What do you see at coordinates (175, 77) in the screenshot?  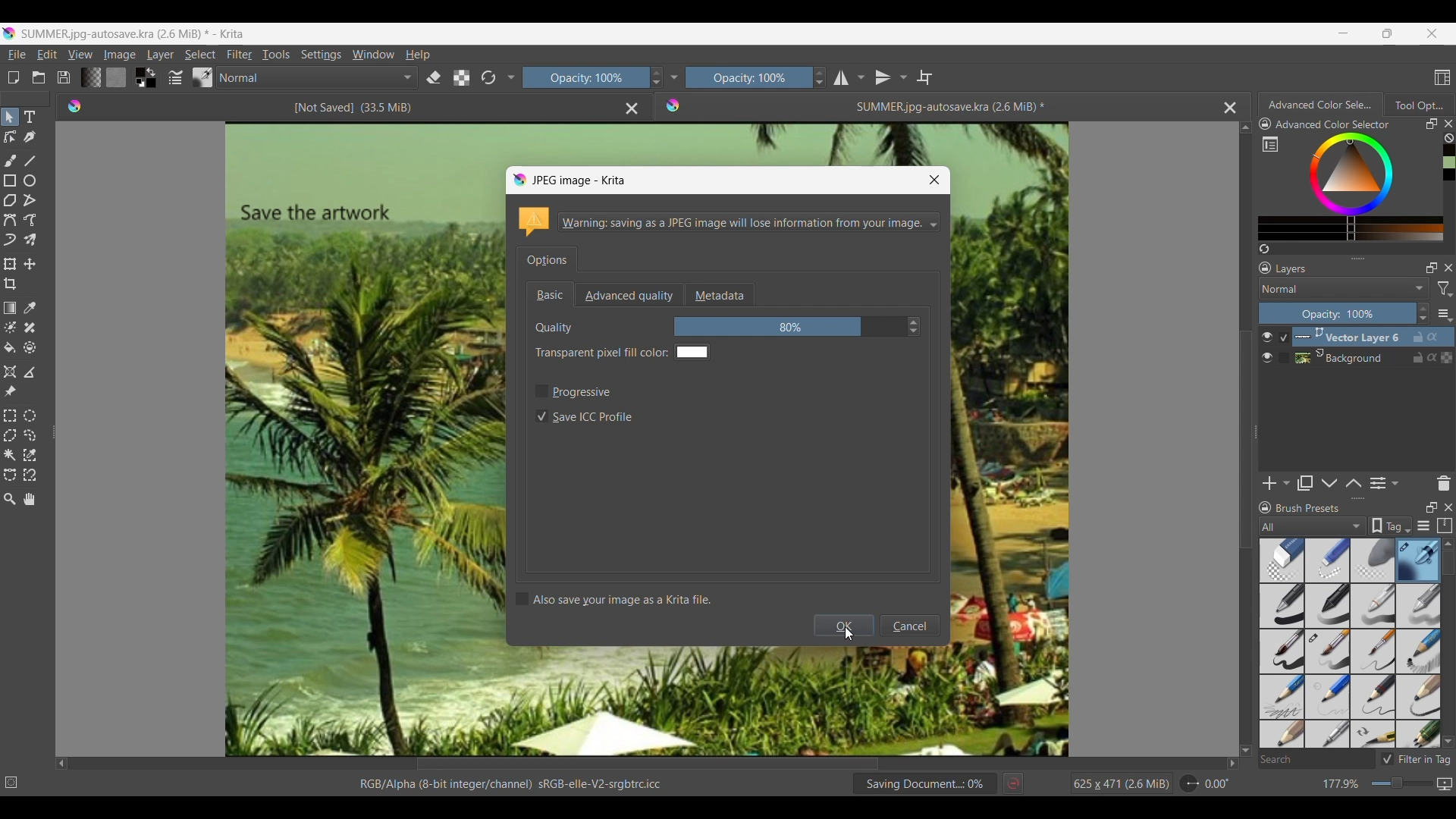 I see `Edit brush settings` at bounding box center [175, 77].